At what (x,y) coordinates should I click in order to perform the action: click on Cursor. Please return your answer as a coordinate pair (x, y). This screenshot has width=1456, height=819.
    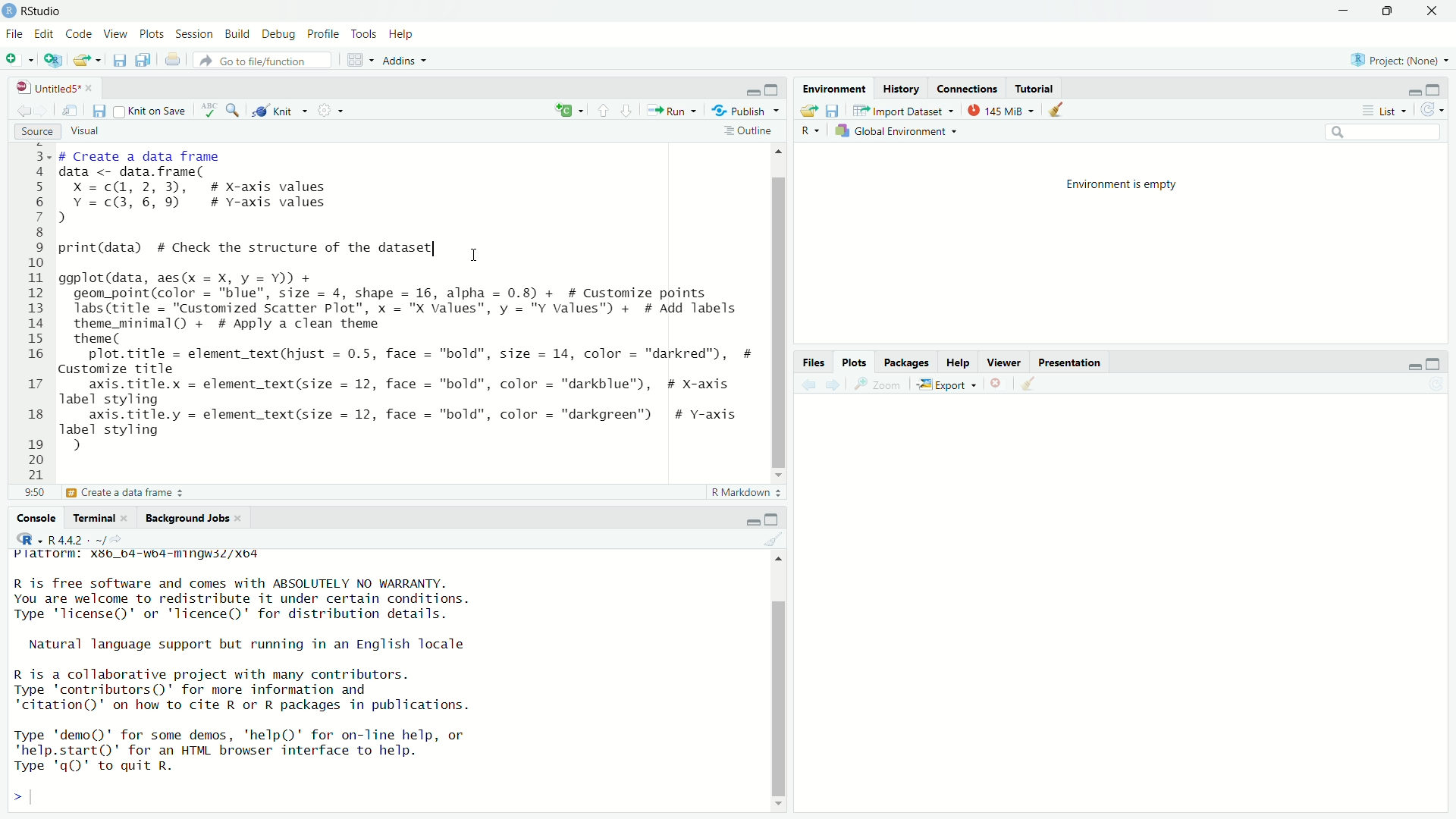
    Looking at the image, I should click on (475, 254).